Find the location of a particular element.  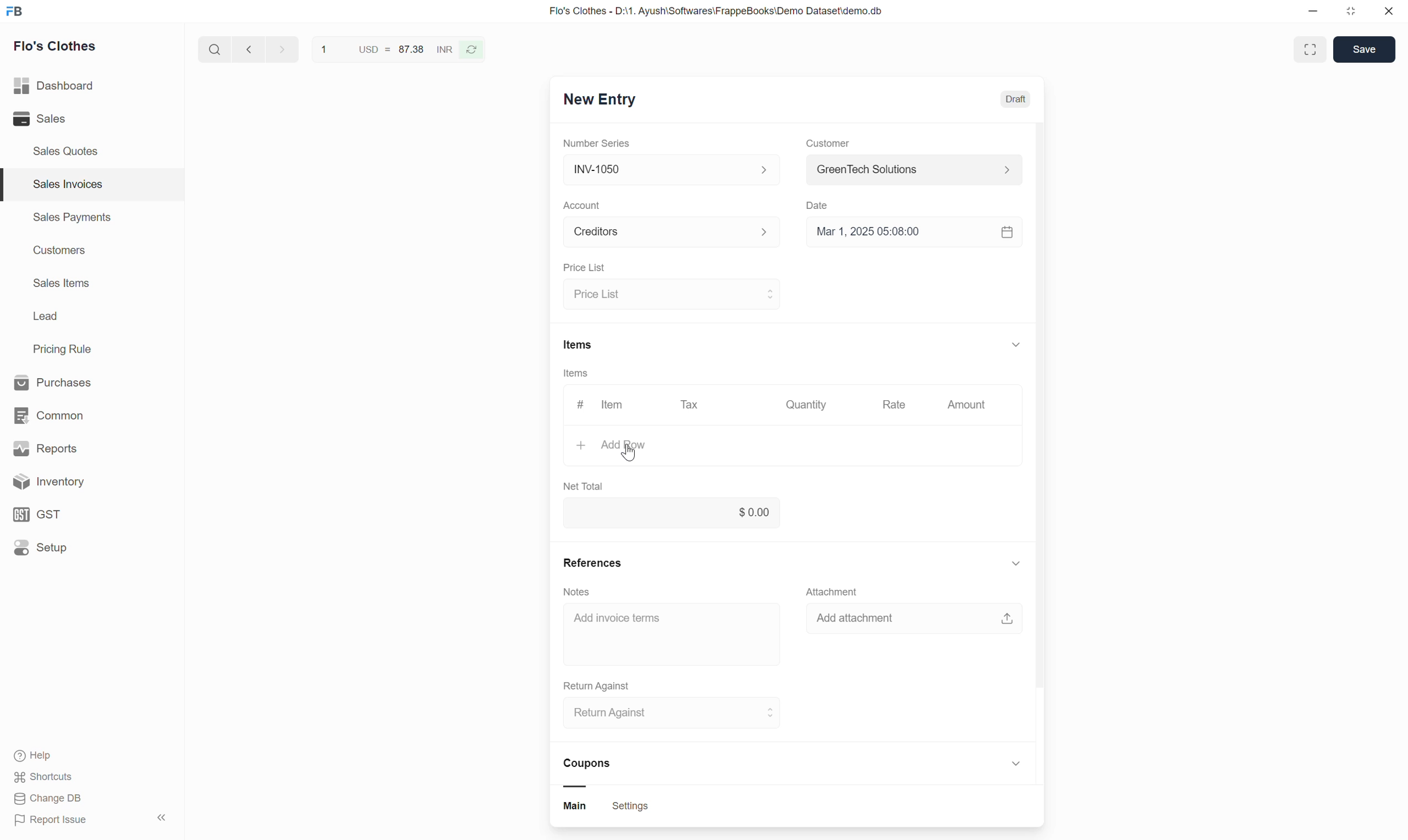

main is located at coordinates (580, 808).